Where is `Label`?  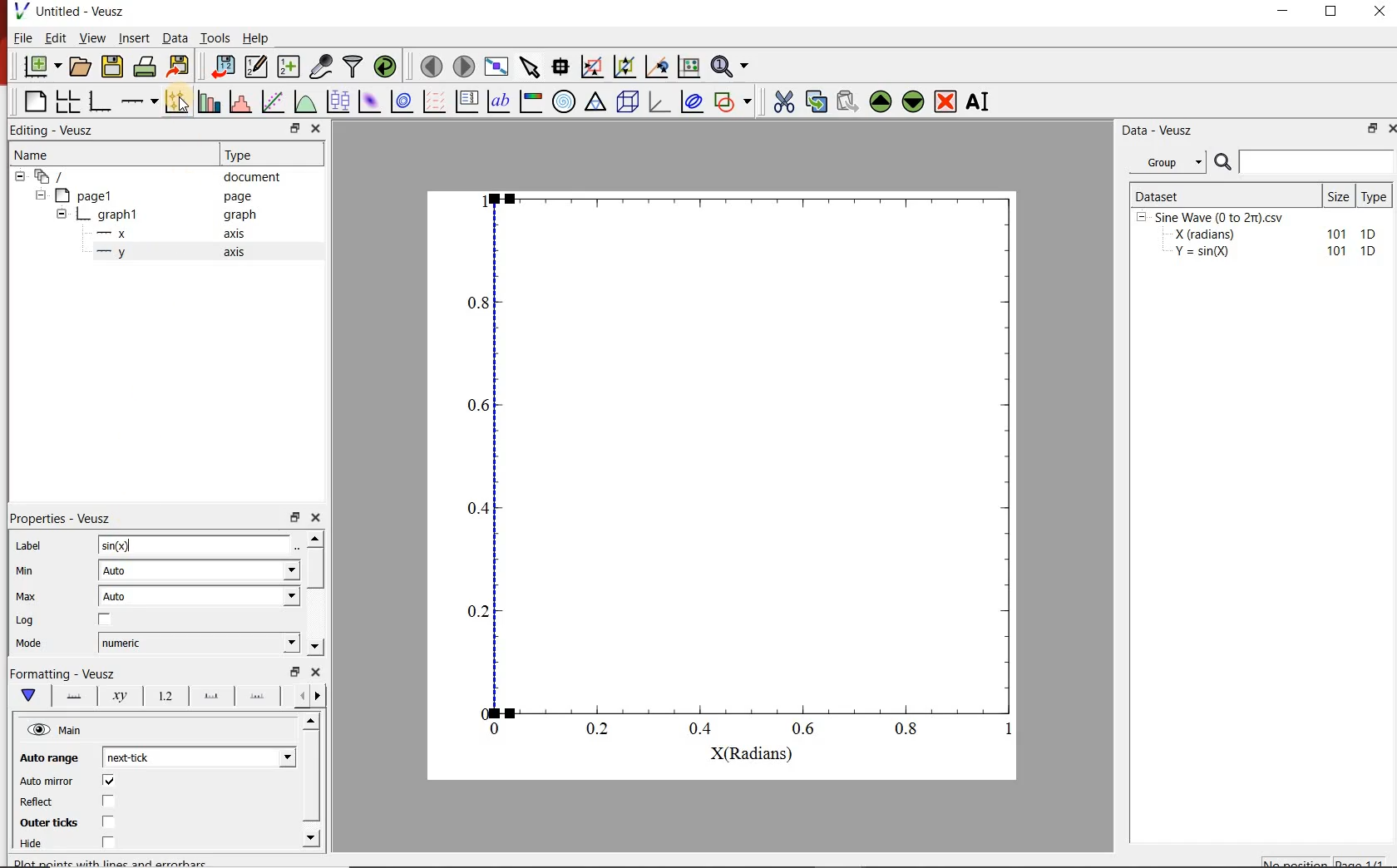 Label is located at coordinates (29, 545).